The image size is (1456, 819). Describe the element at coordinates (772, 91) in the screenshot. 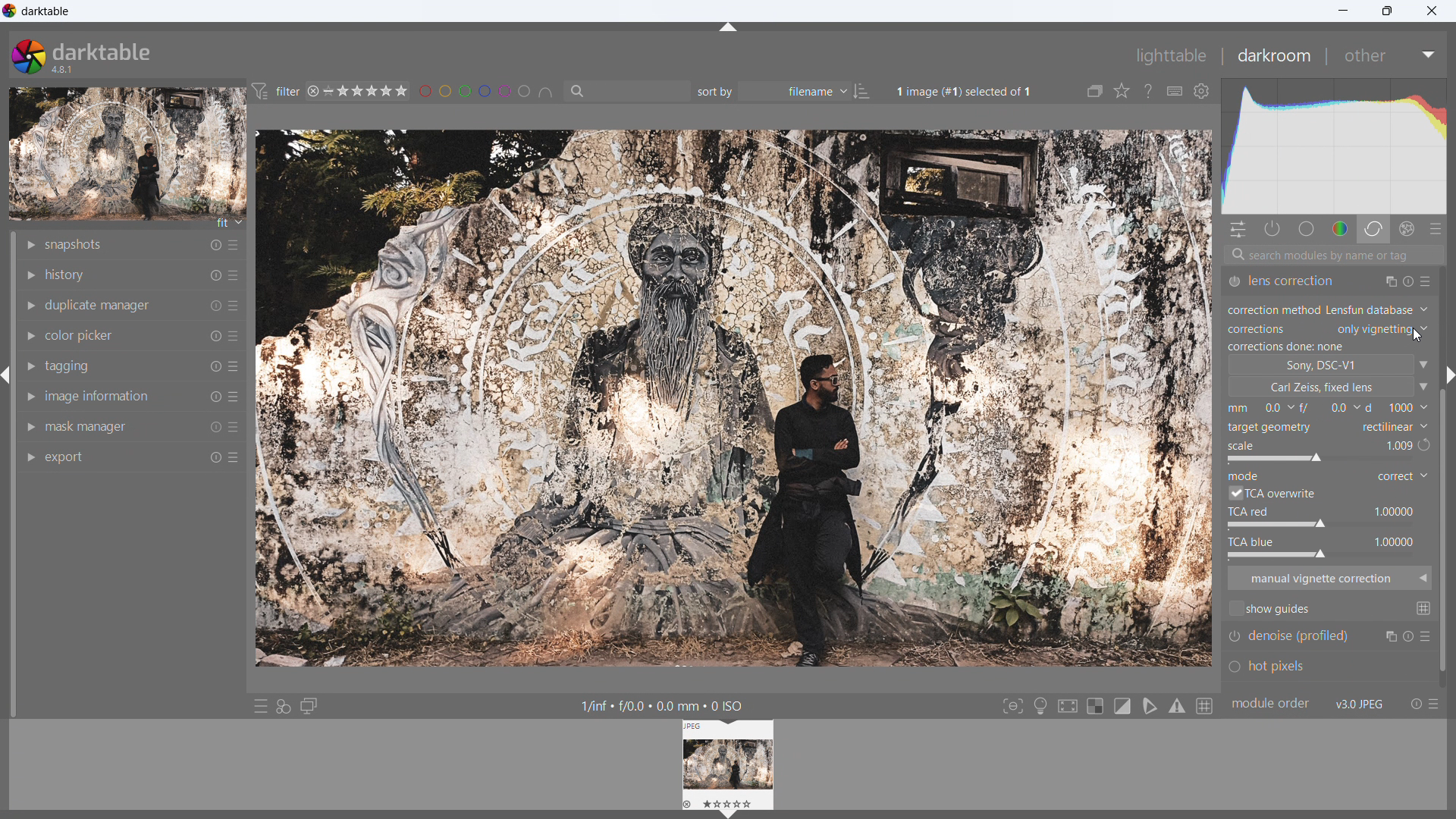

I see `sort by` at that location.